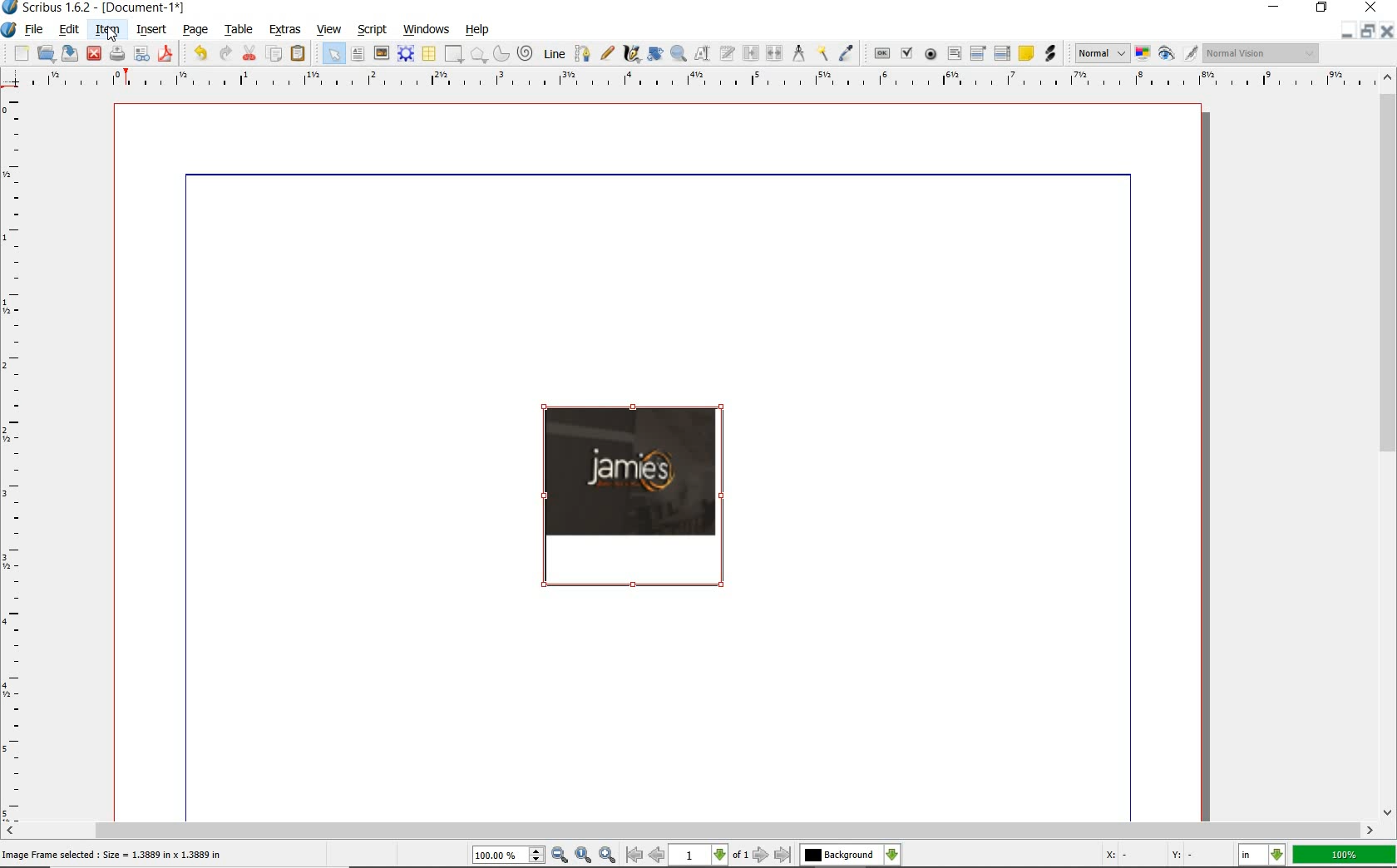  Describe the element at coordinates (799, 52) in the screenshot. I see `measurements` at that location.